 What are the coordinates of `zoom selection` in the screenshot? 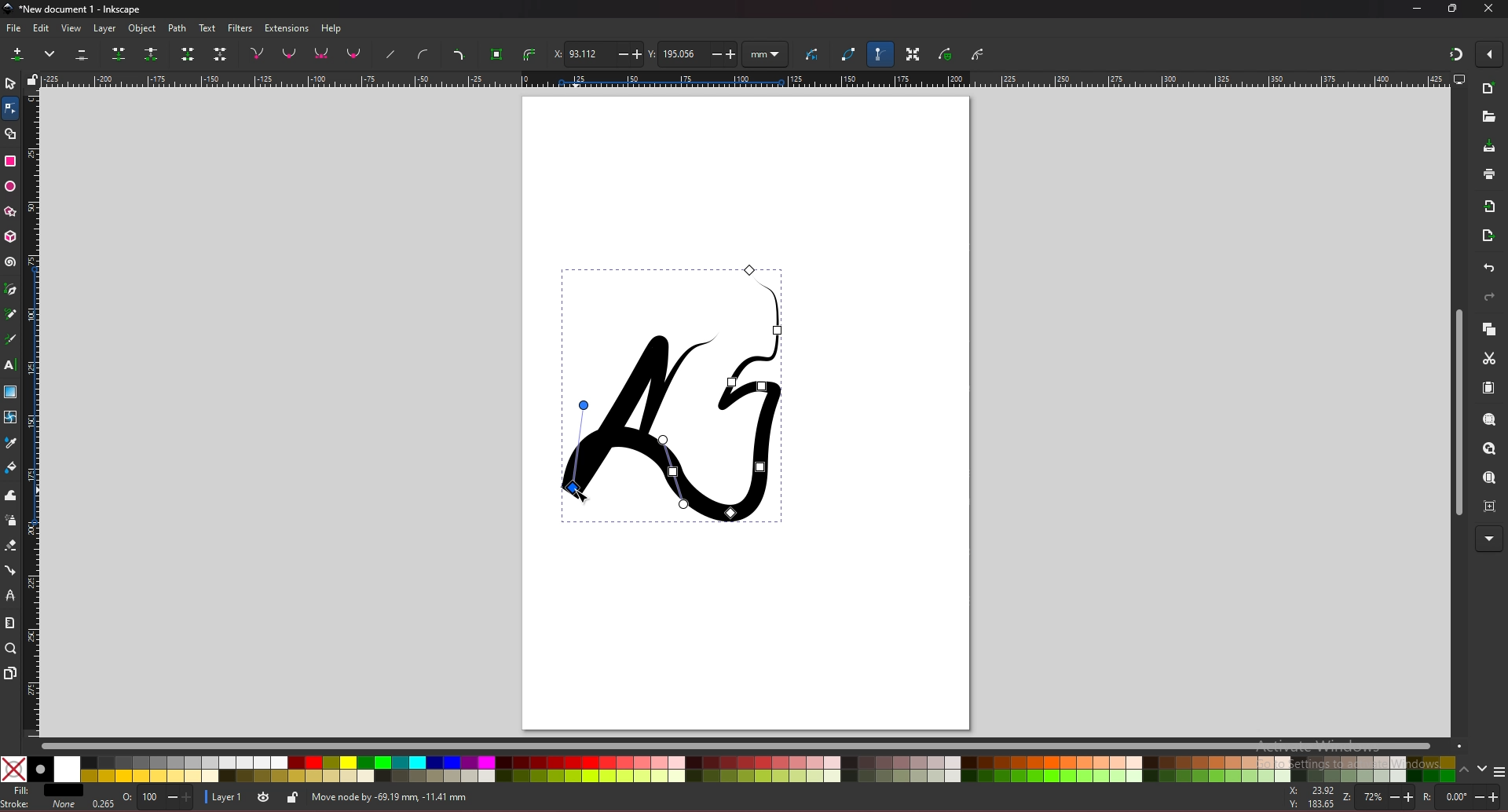 It's located at (1488, 420).